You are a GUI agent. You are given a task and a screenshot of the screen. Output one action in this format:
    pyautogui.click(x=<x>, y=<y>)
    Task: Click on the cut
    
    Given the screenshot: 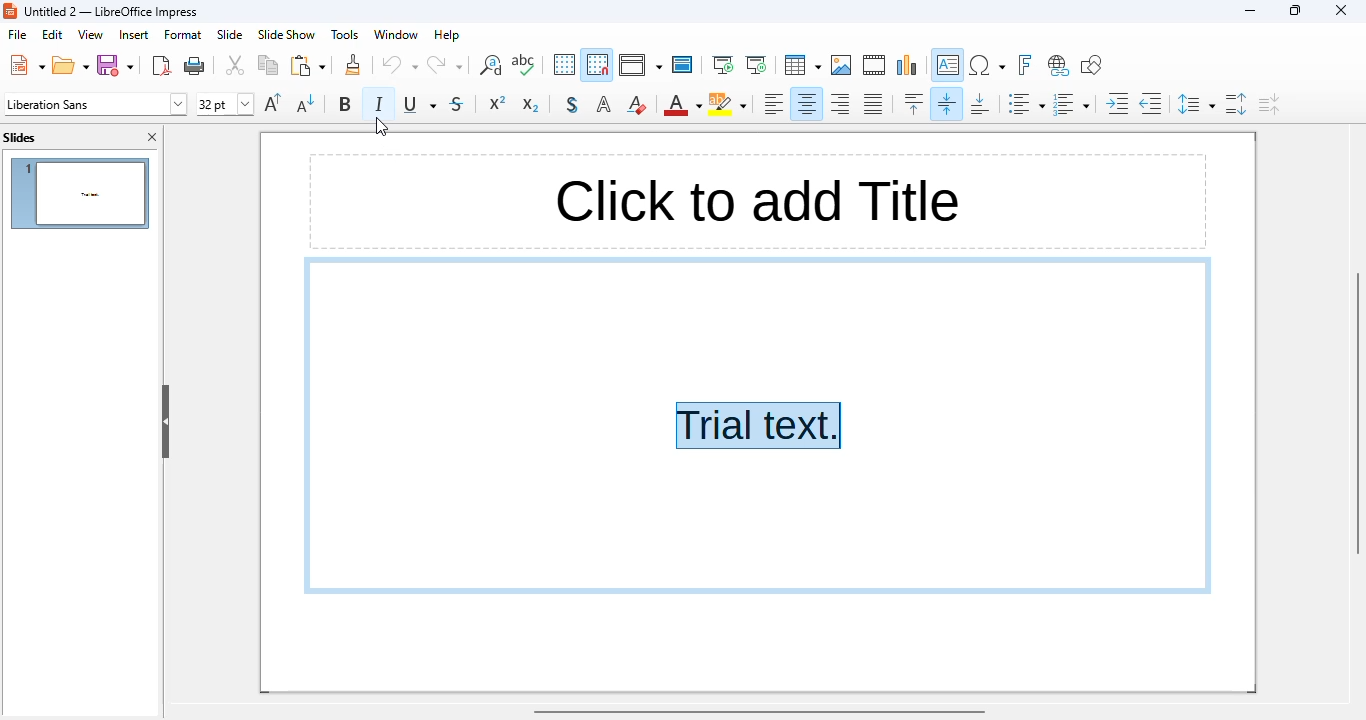 What is the action you would take?
    pyautogui.click(x=236, y=65)
    